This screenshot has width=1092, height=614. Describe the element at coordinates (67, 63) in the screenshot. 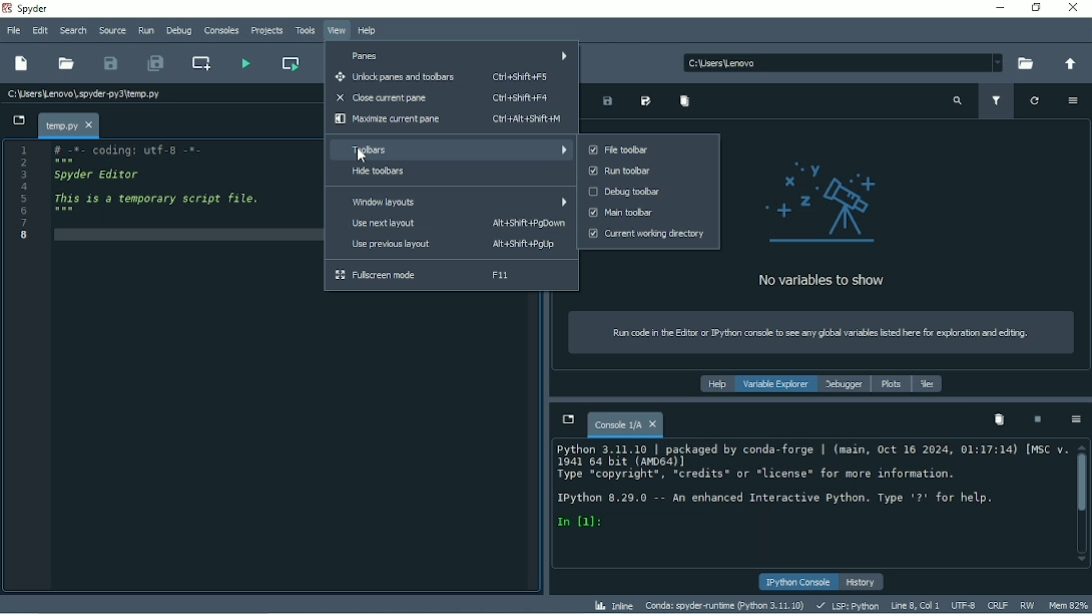

I see `Open file` at that location.